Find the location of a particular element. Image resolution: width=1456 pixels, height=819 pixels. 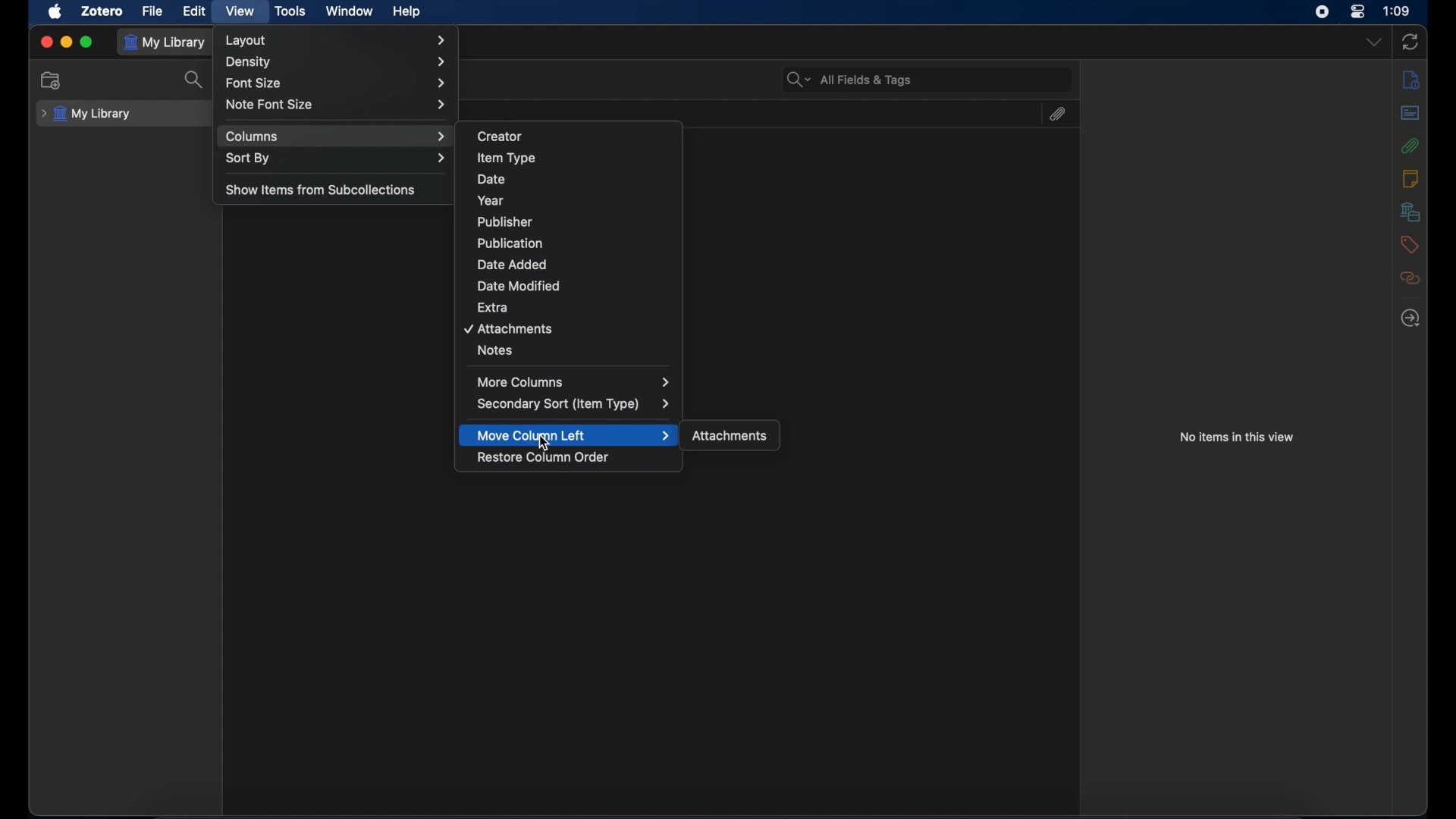

tags is located at coordinates (1409, 243).